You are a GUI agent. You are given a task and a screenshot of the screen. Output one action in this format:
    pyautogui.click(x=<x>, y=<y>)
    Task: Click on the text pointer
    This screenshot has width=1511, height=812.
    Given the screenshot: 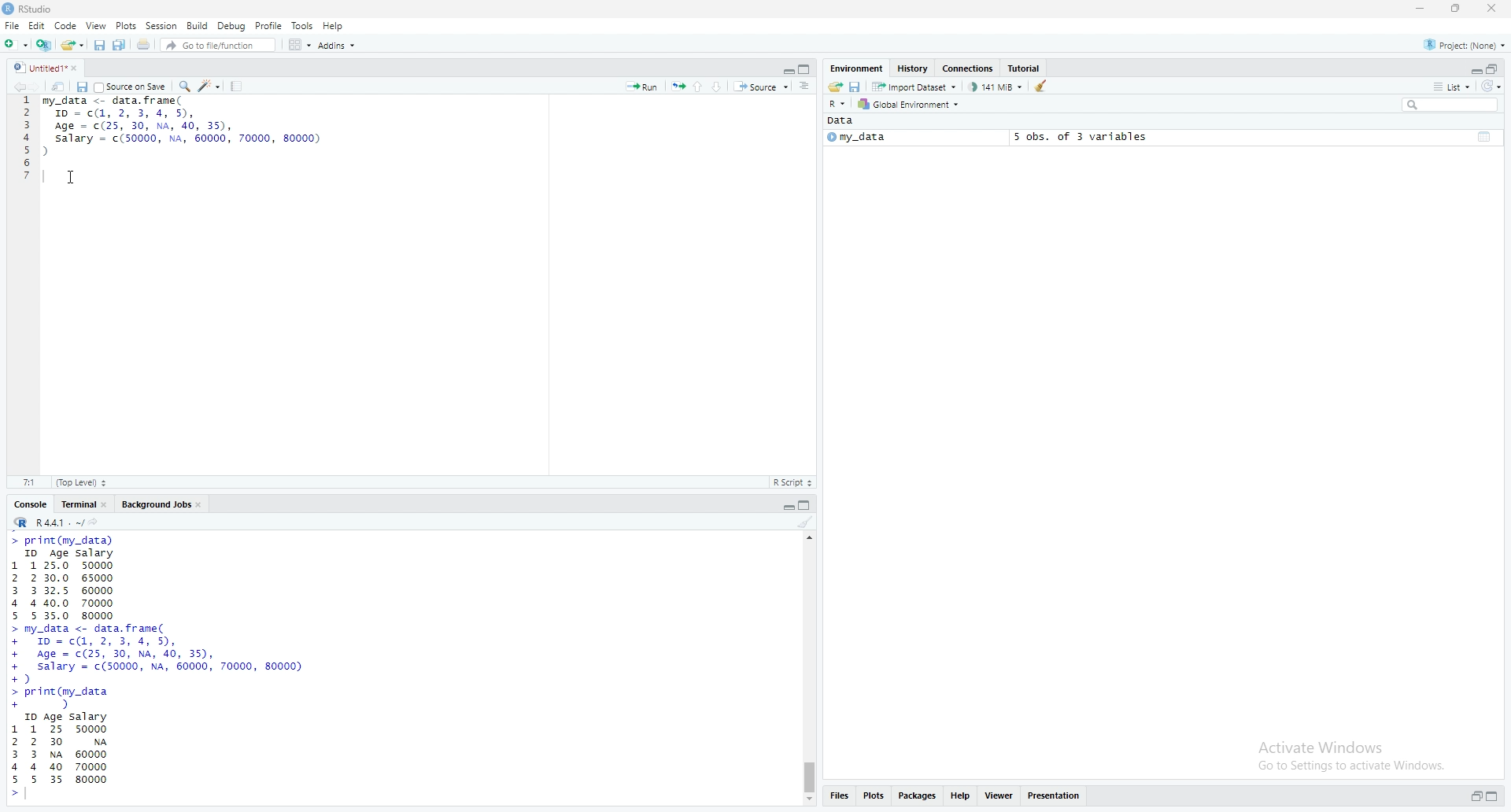 What is the action you would take?
    pyautogui.click(x=50, y=177)
    